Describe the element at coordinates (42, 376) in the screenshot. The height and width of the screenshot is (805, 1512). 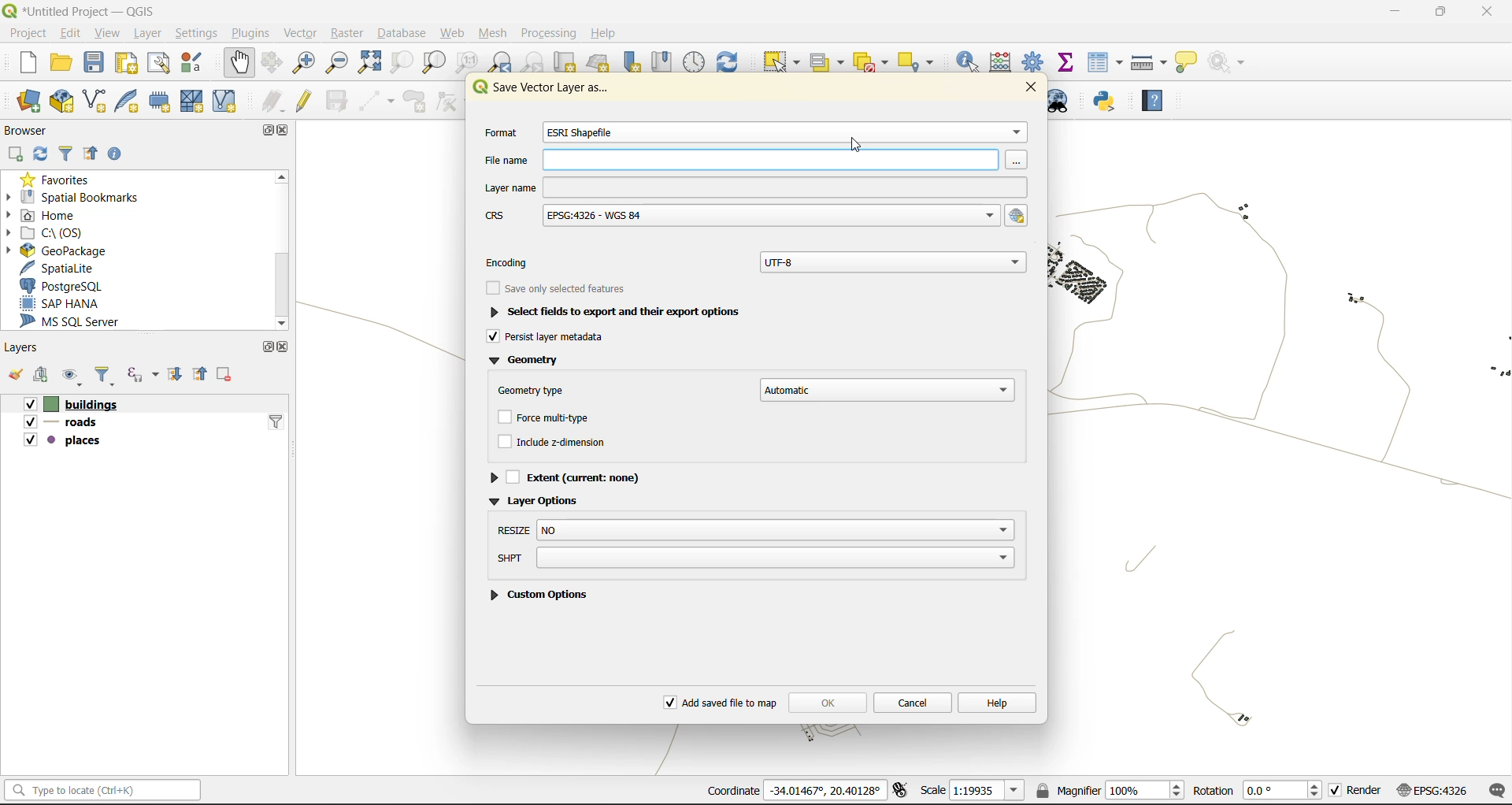
I see `add` at that location.